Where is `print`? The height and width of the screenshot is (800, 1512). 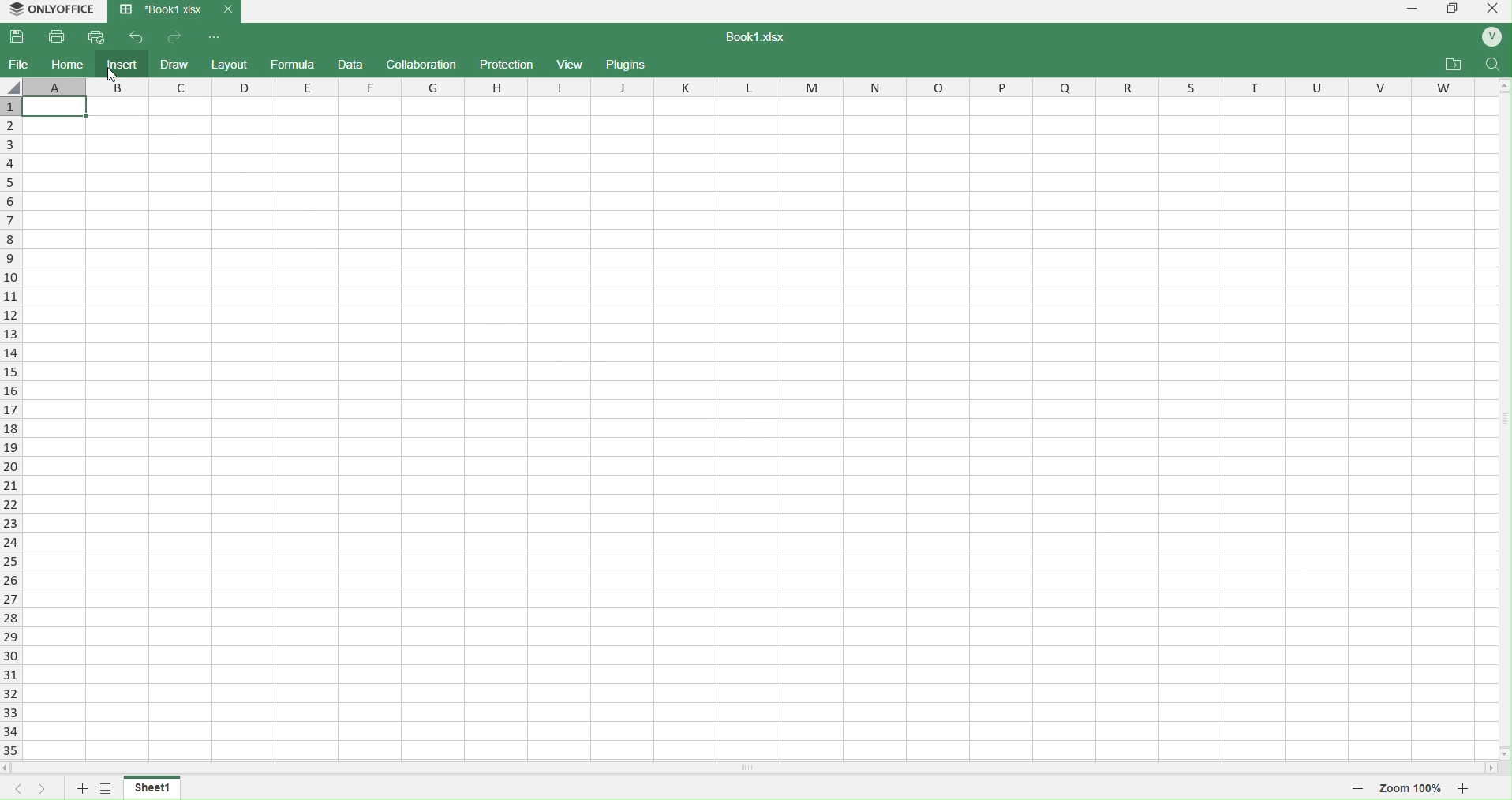 print is located at coordinates (58, 36).